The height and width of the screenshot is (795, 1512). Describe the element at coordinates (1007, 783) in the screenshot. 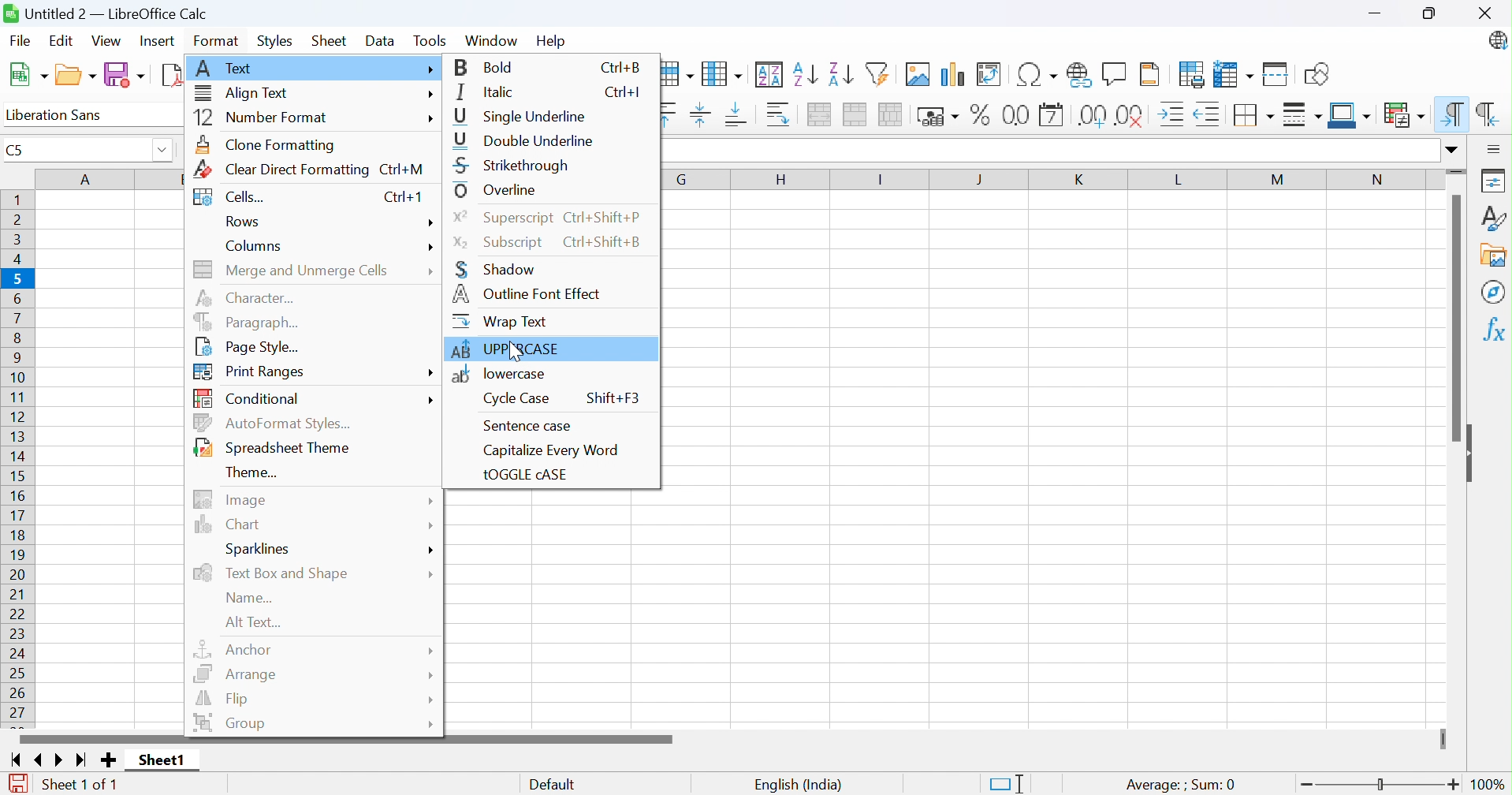

I see `Standard selection. Click to change selection mode.` at that location.